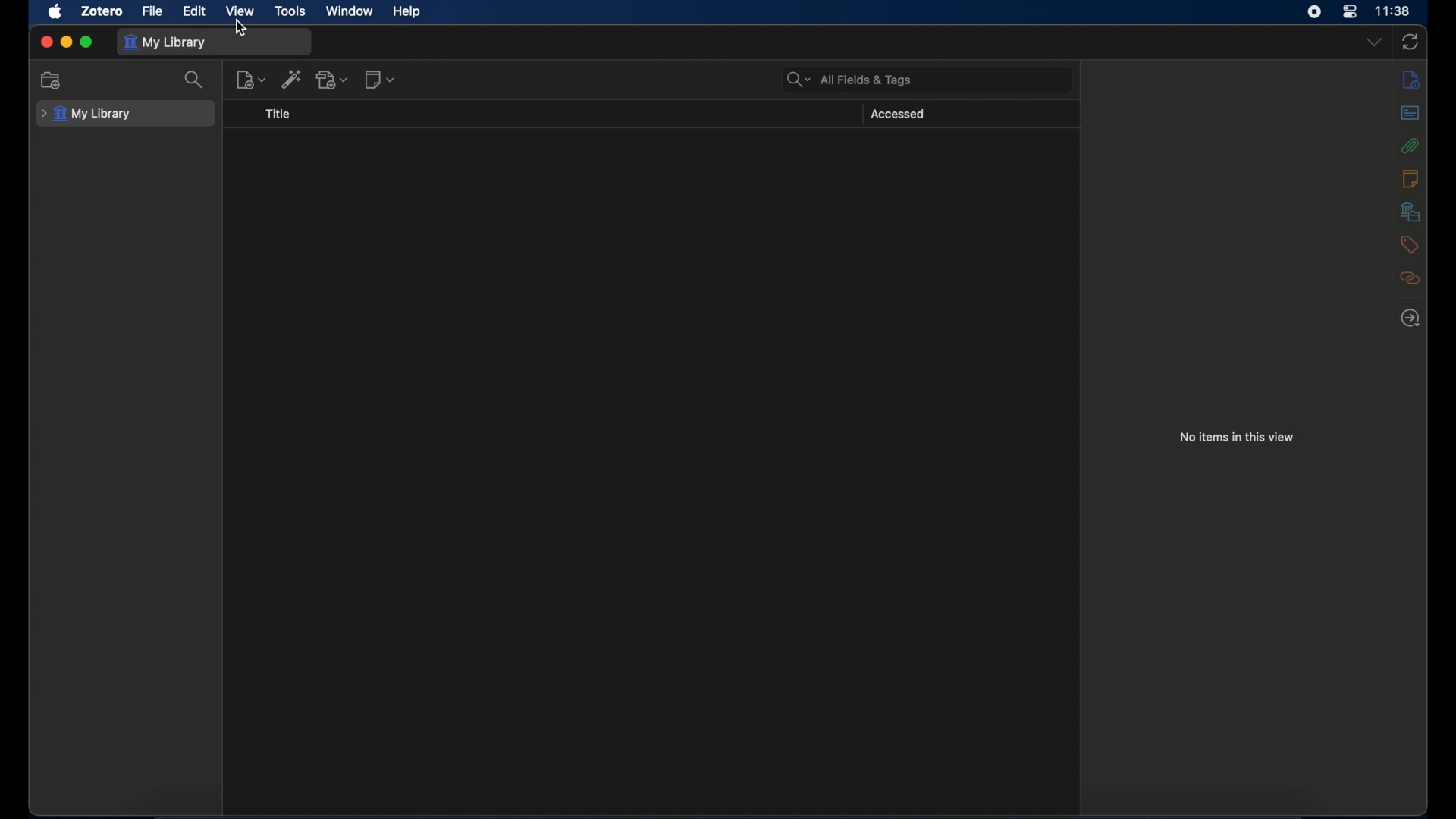 This screenshot has width=1456, height=819. I want to click on title, so click(278, 115).